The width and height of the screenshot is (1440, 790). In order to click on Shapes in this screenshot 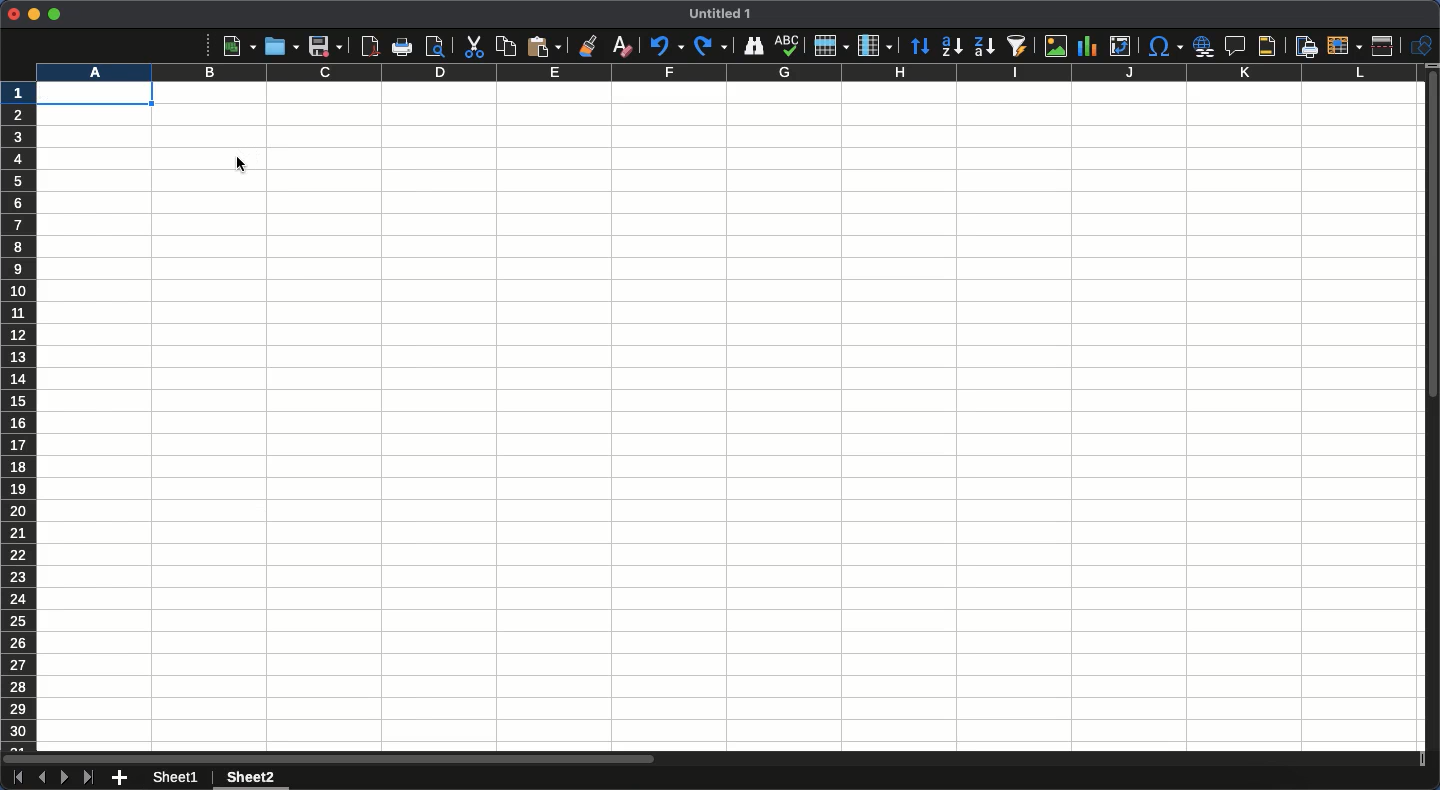, I will do `click(1422, 46)`.